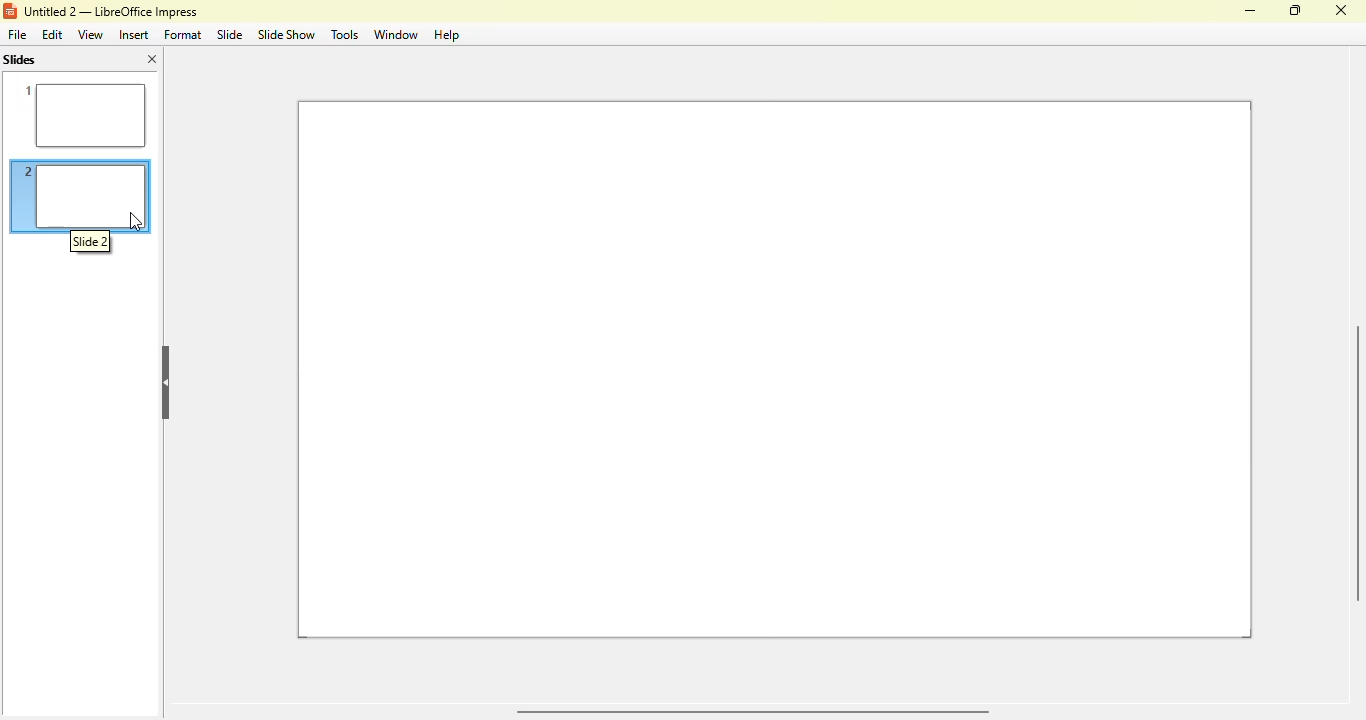  Describe the element at coordinates (135, 220) in the screenshot. I see `cursor` at that location.